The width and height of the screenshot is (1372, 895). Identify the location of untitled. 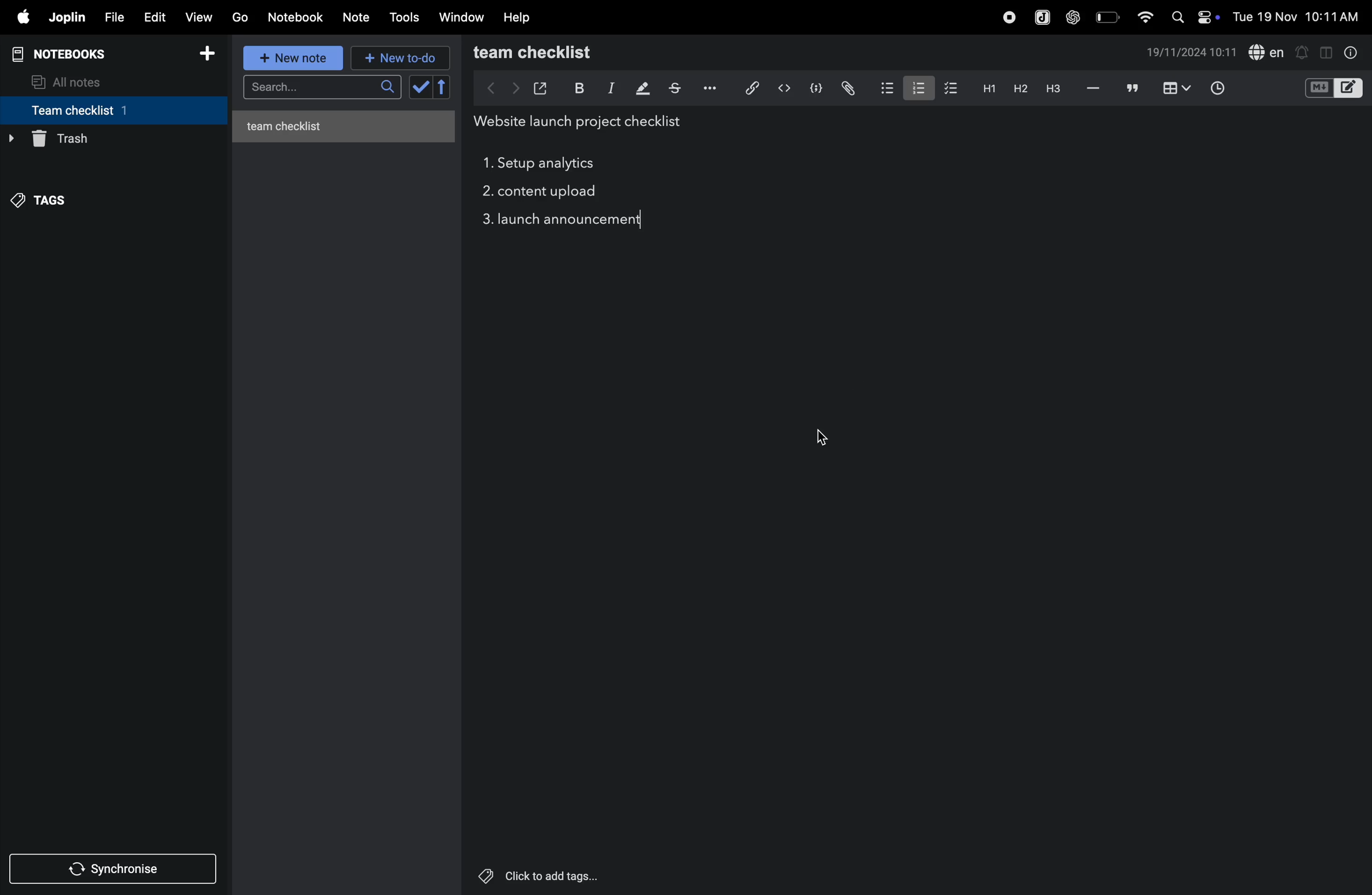
(348, 123).